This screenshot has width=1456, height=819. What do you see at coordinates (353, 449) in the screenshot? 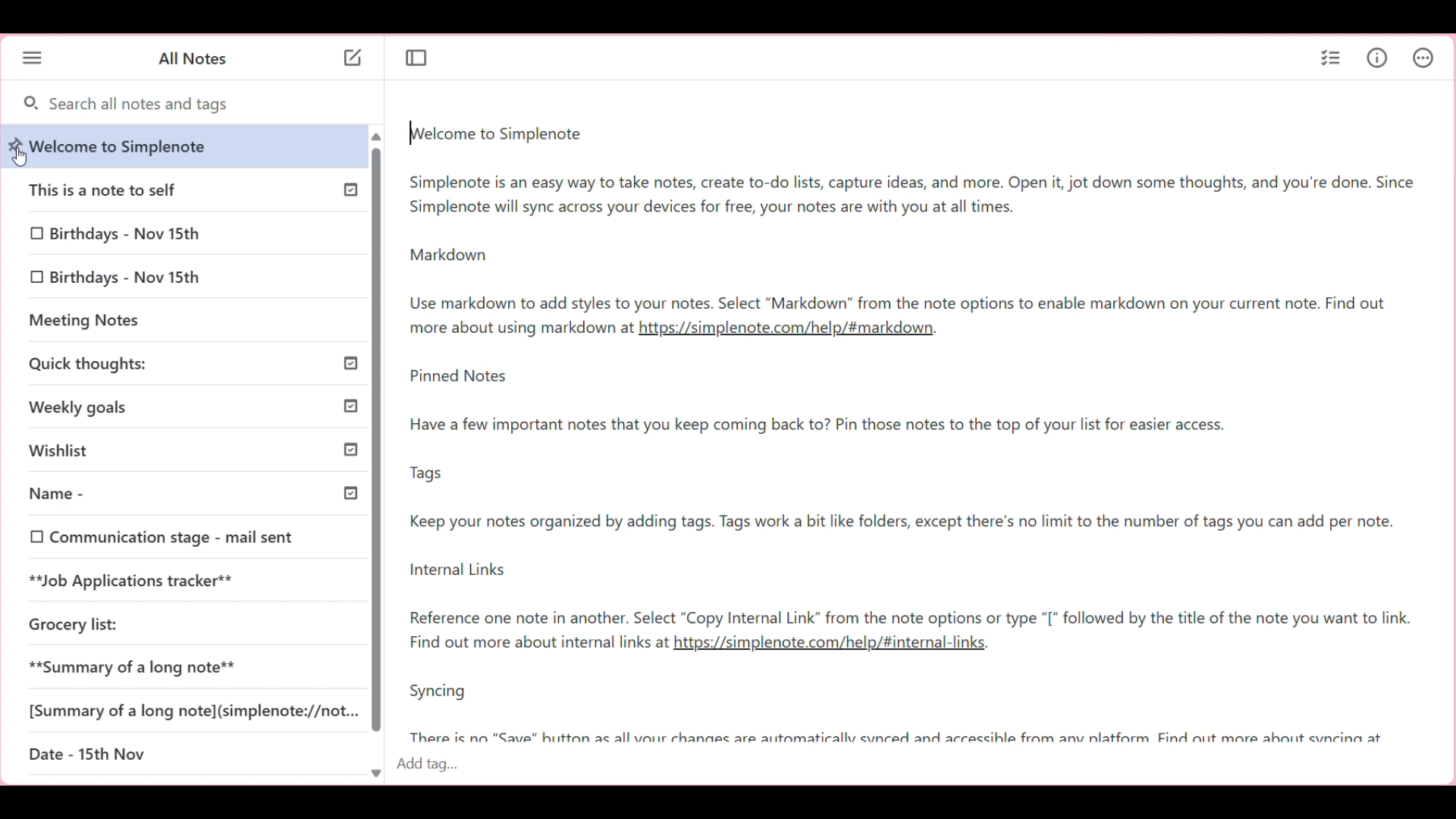
I see `Published` at bounding box center [353, 449].